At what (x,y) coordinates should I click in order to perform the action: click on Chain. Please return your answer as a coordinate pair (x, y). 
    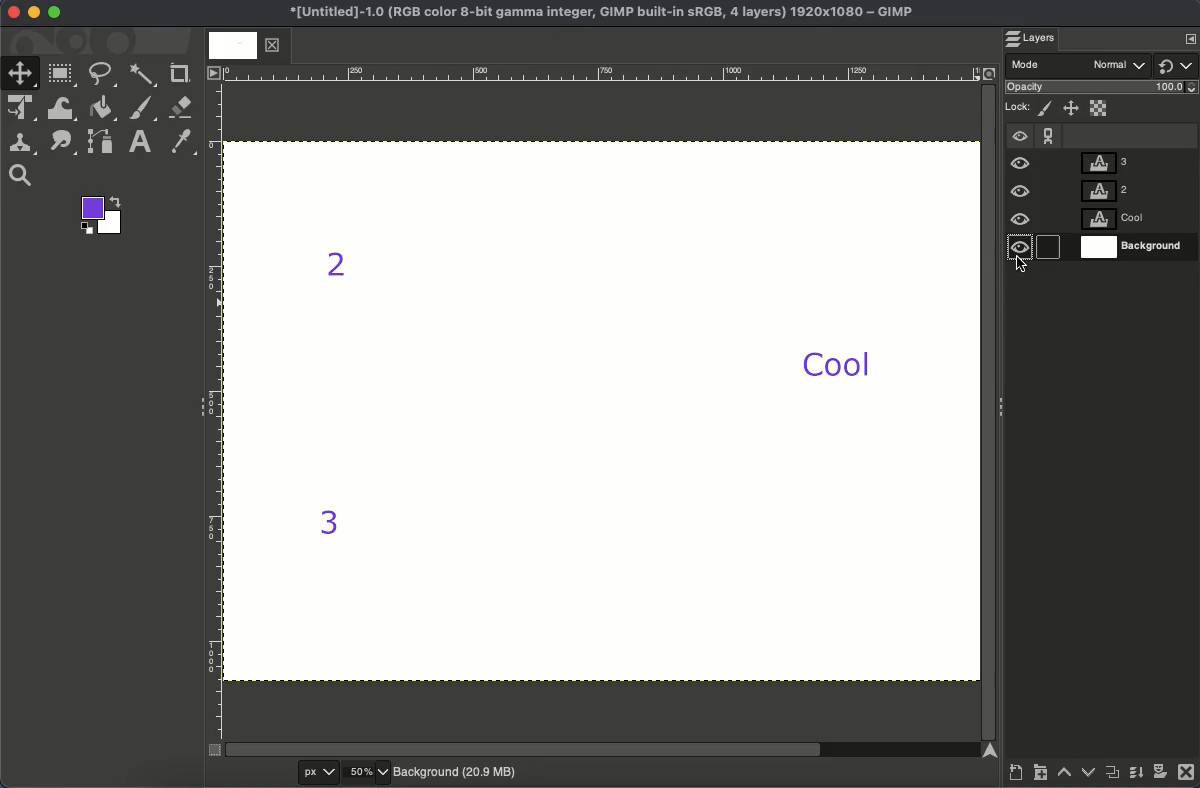
    Looking at the image, I should click on (1049, 131).